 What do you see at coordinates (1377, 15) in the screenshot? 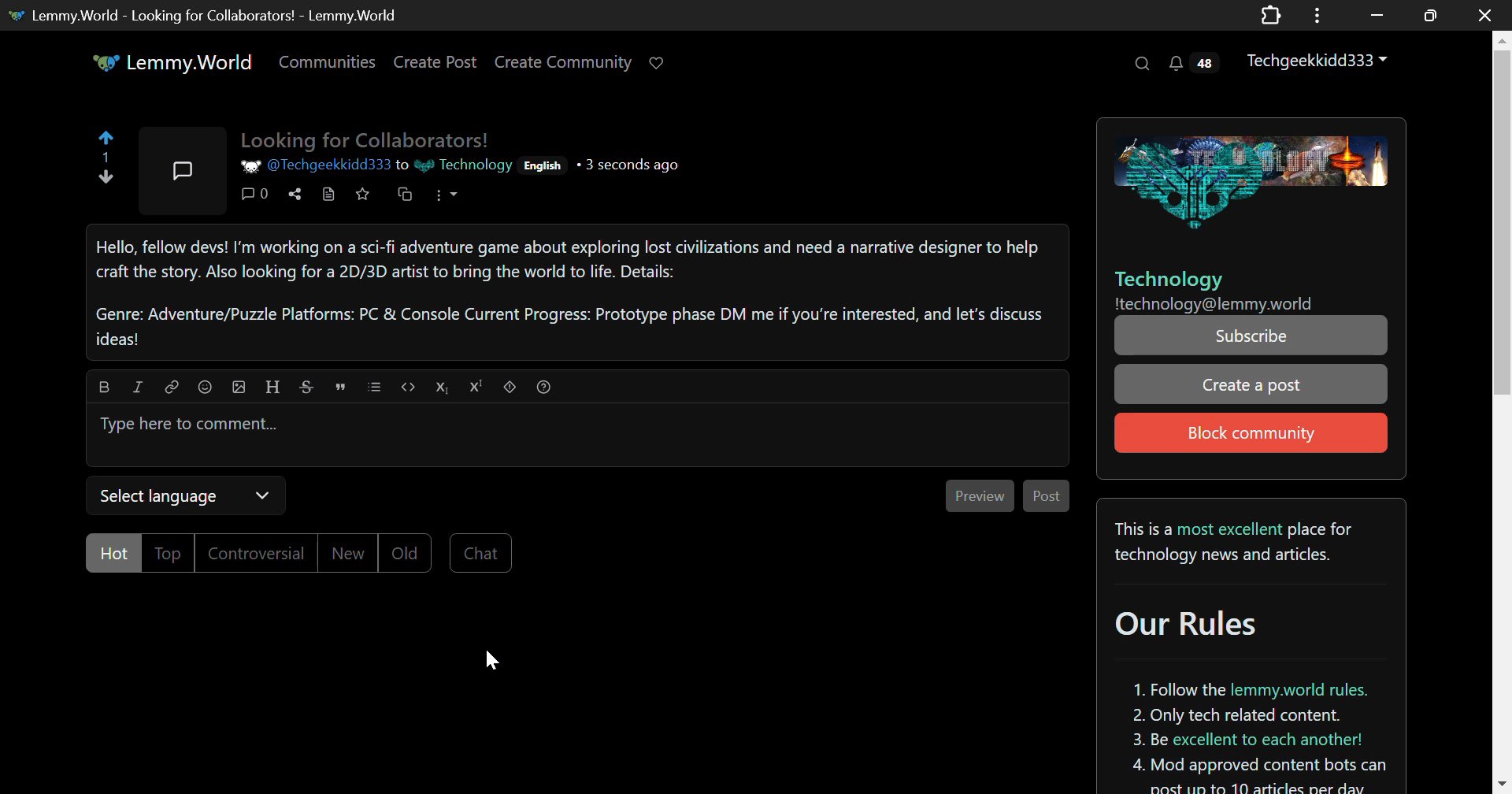
I see `Restore Down` at bounding box center [1377, 15].